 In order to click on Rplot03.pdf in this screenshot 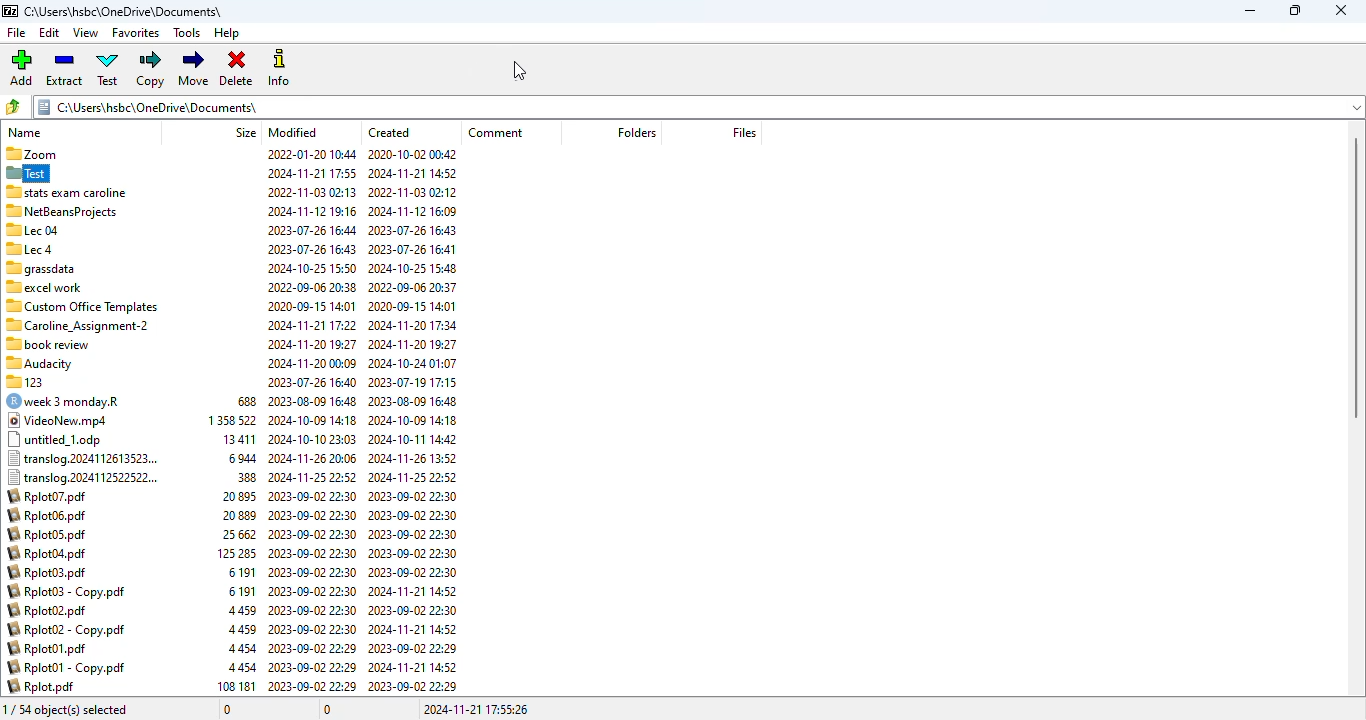, I will do `click(48, 572)`.